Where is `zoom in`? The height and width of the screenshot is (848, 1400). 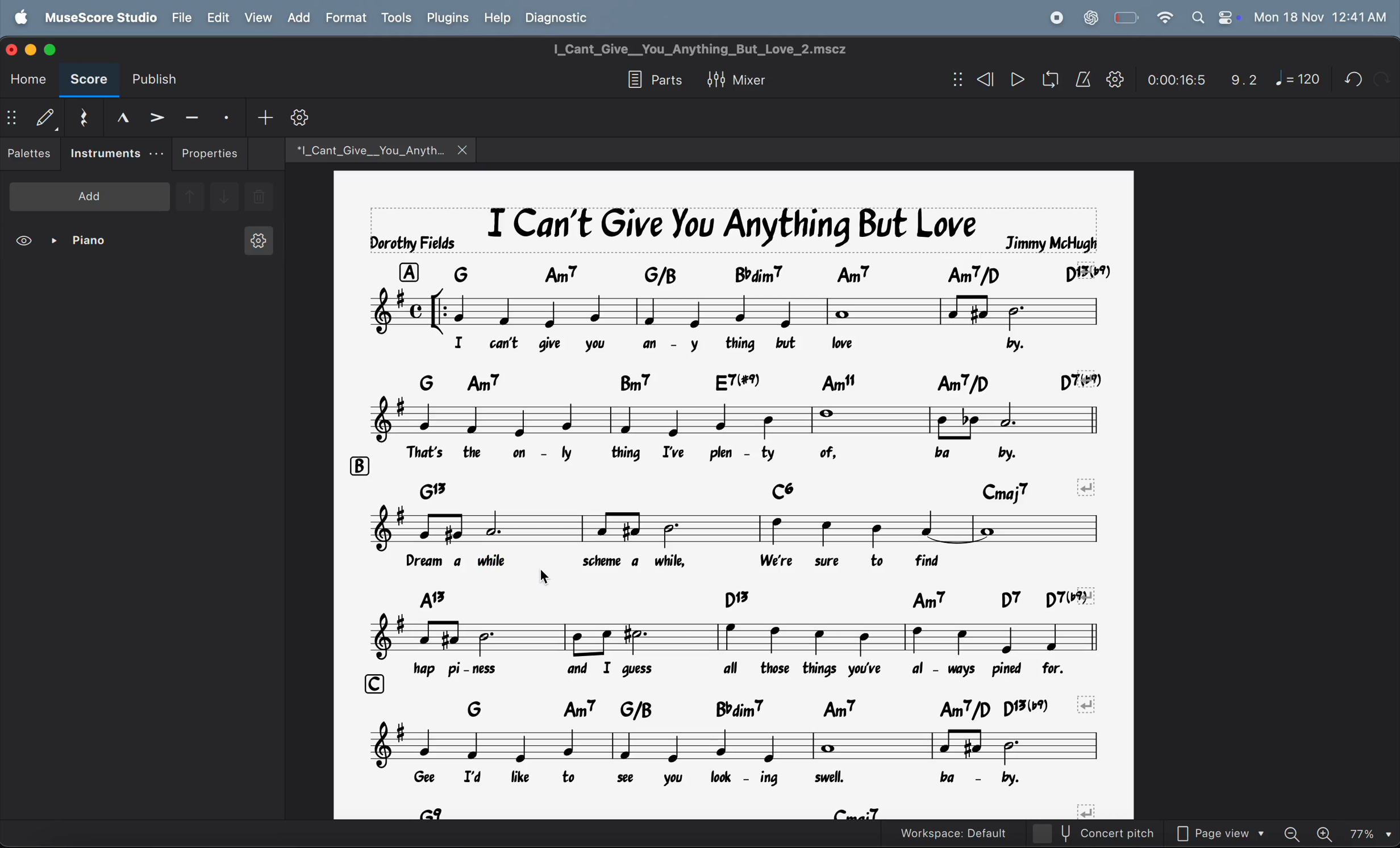
zoom in is located at coordinates (1328, 833).